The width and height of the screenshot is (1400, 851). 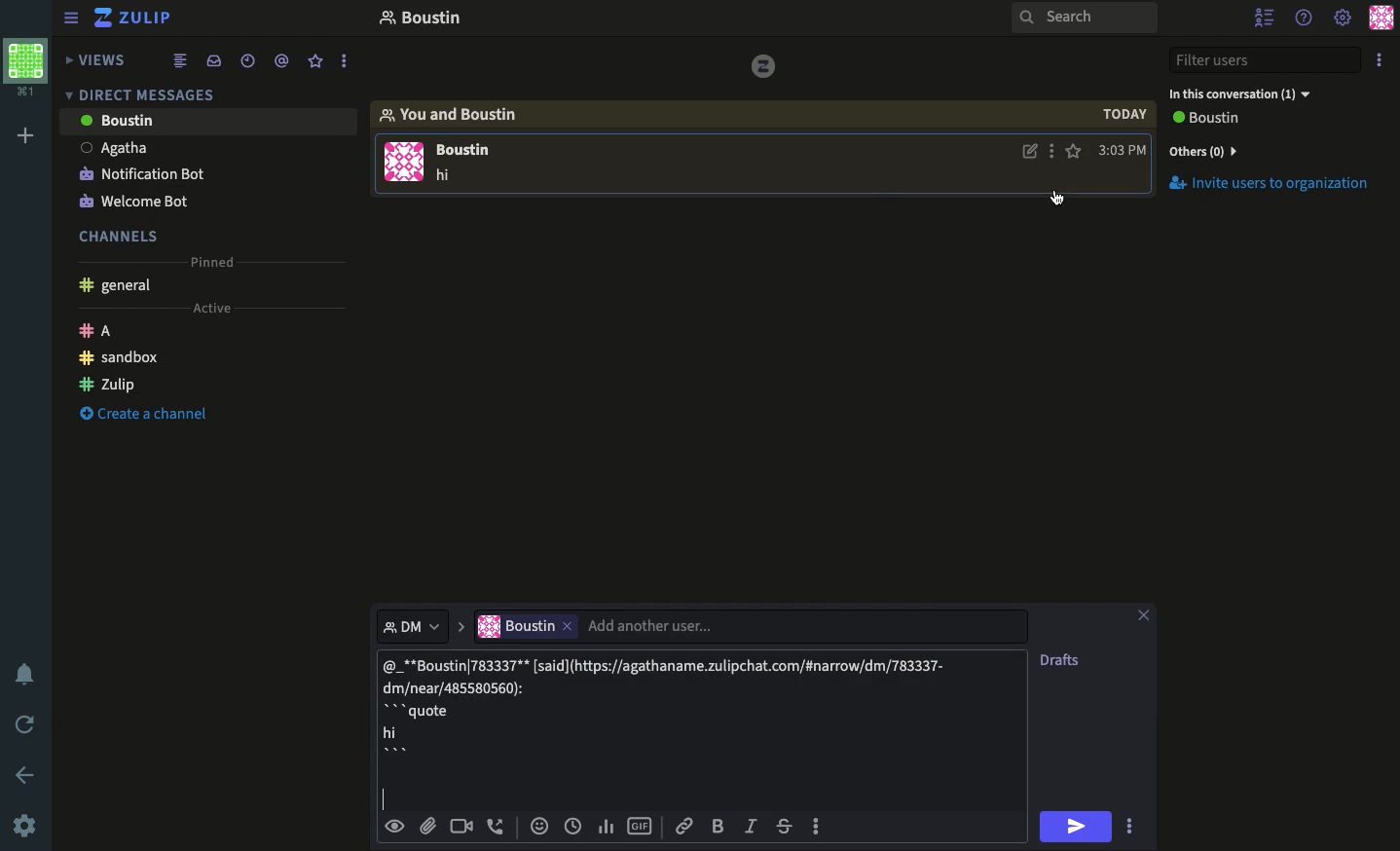 I want to click on more, so click(x=346, y=62).